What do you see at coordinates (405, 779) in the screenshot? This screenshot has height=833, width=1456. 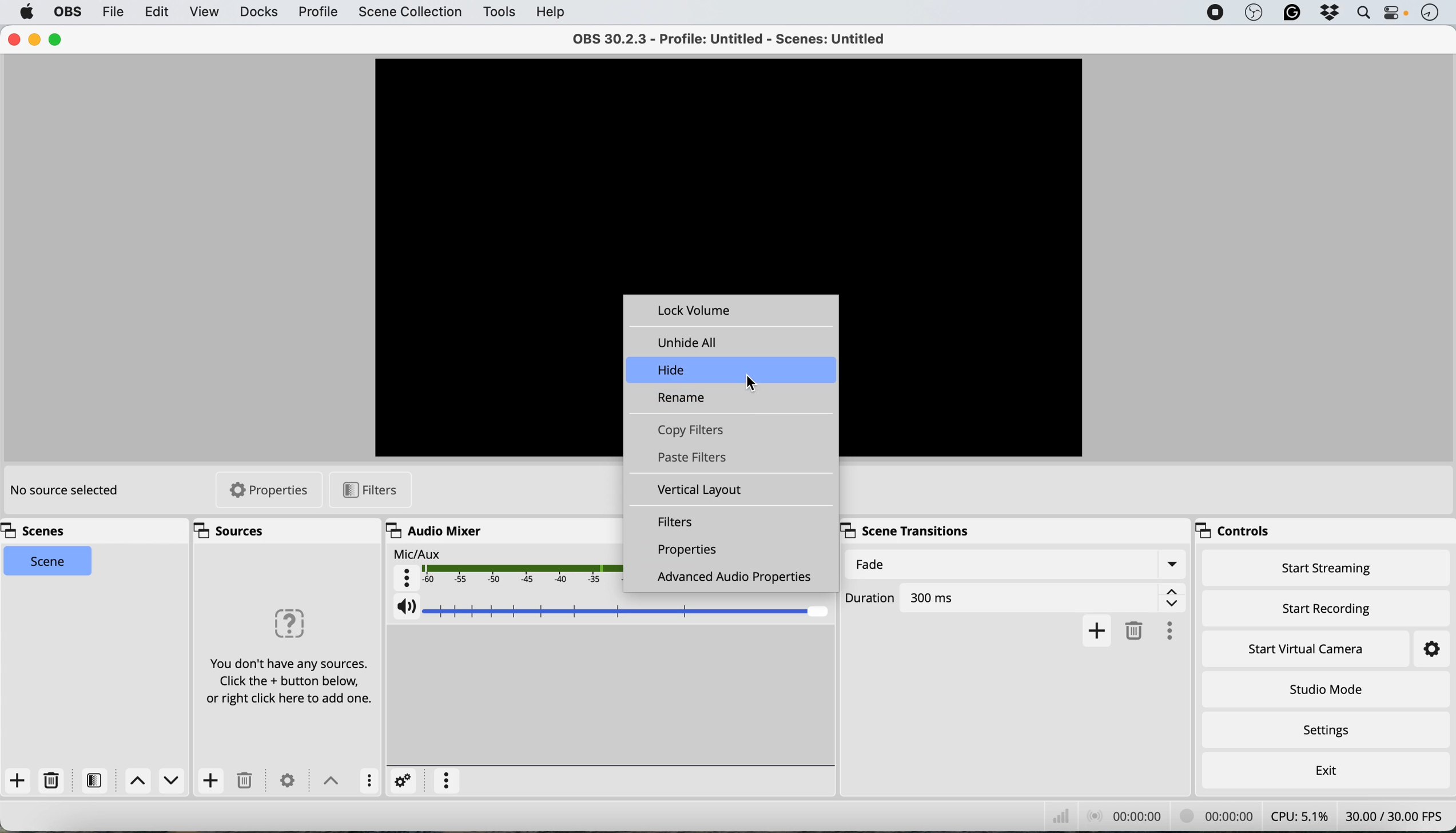 I see `settings` at bounding box center [405, 779].